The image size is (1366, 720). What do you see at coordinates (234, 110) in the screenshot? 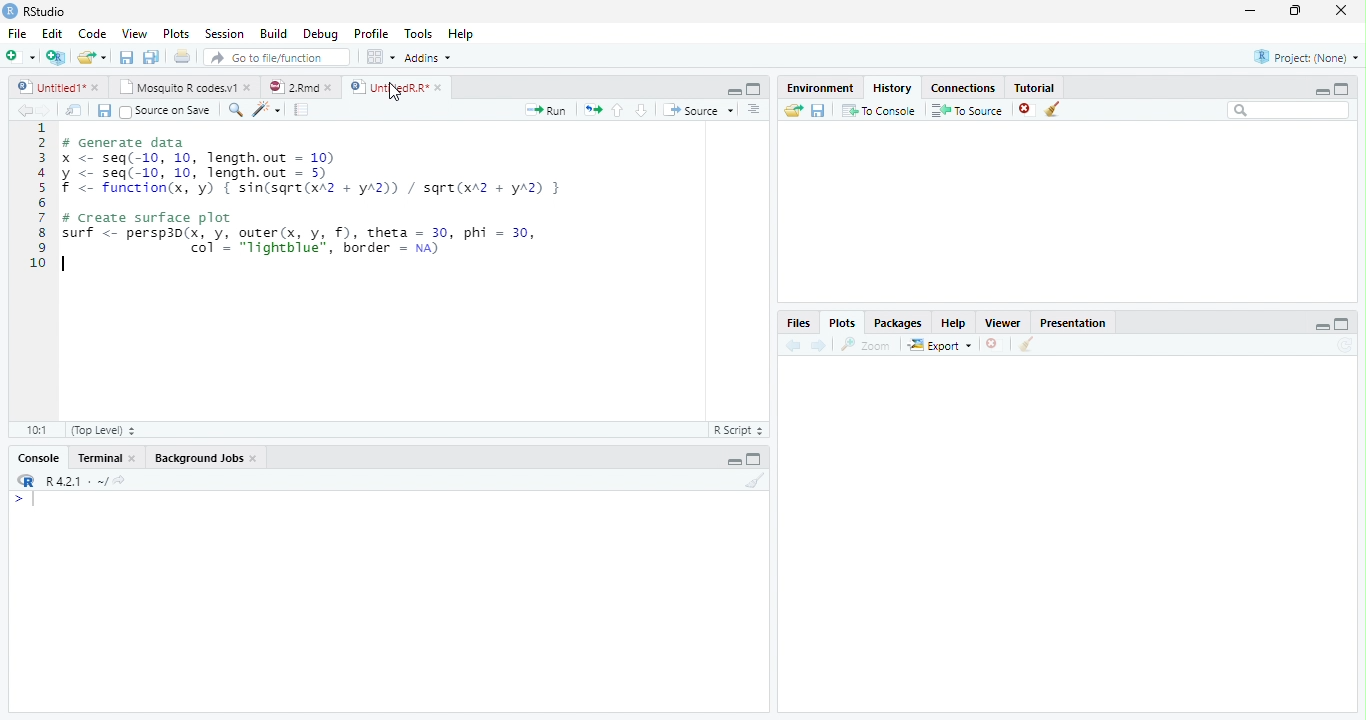
I see `Find/replace` at bounding box center [234, 110].